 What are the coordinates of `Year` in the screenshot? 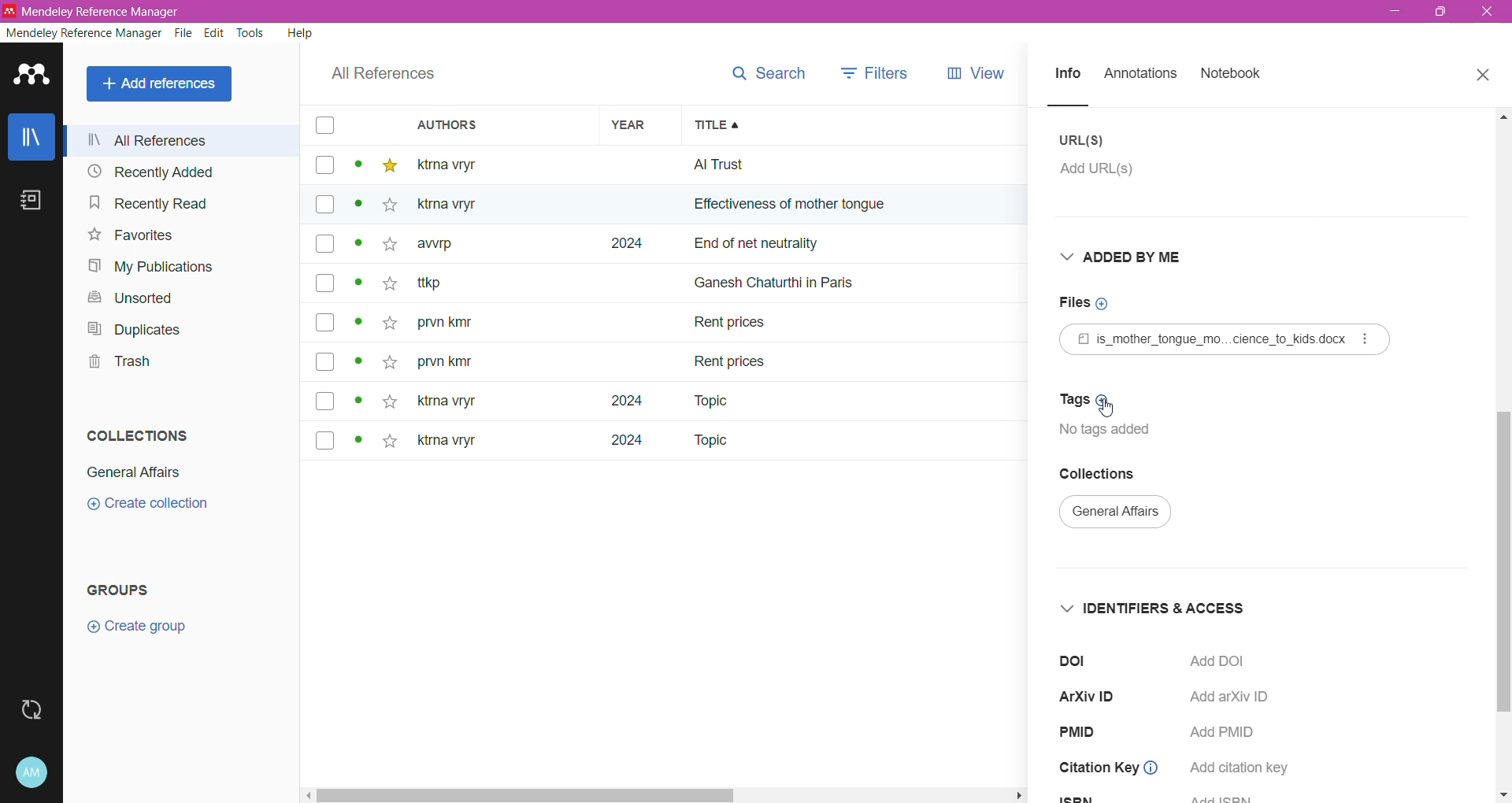 It's located at (633, 124).